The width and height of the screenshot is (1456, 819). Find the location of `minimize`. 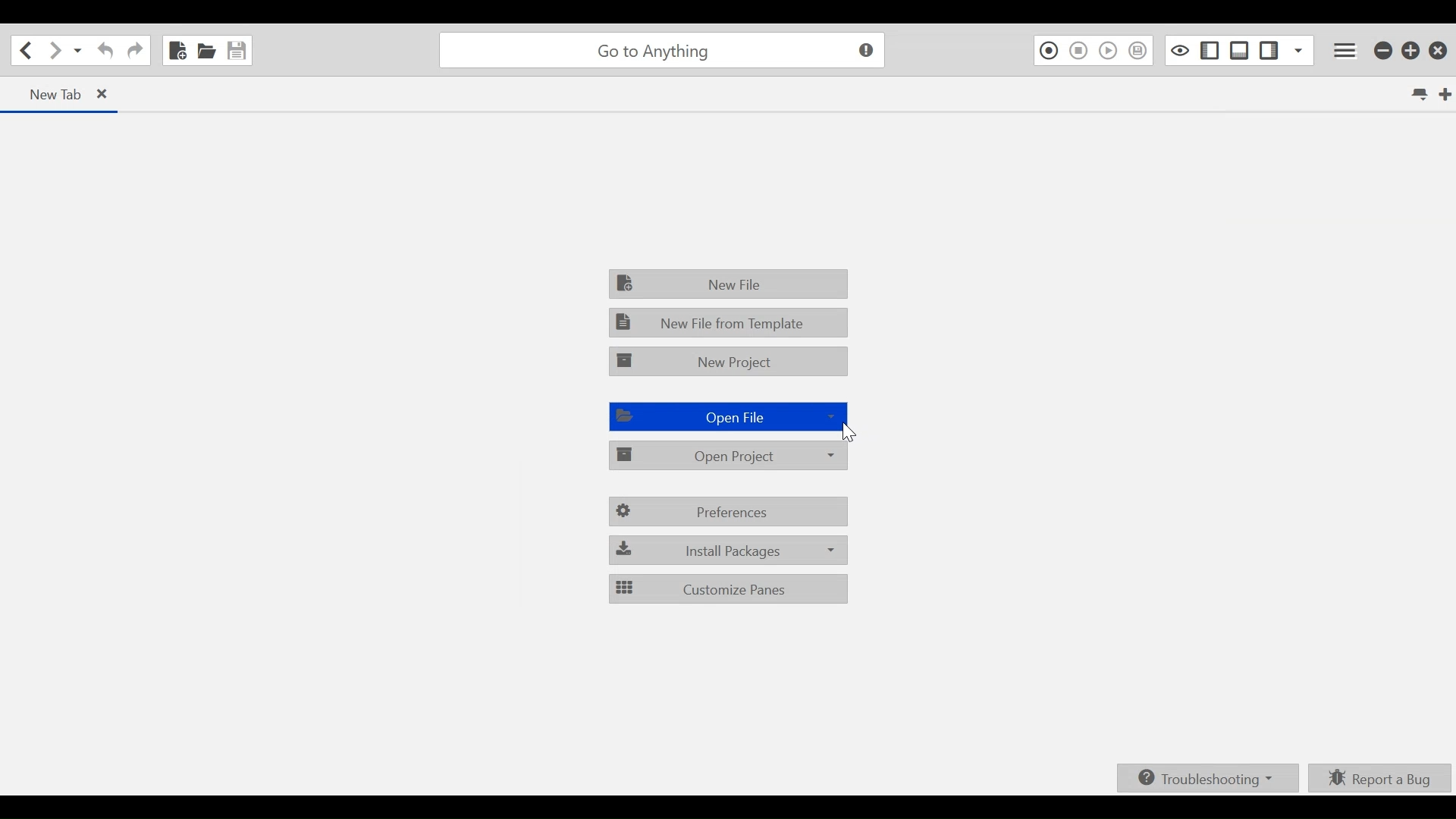

minimize is located at coordinates (1382, 49).